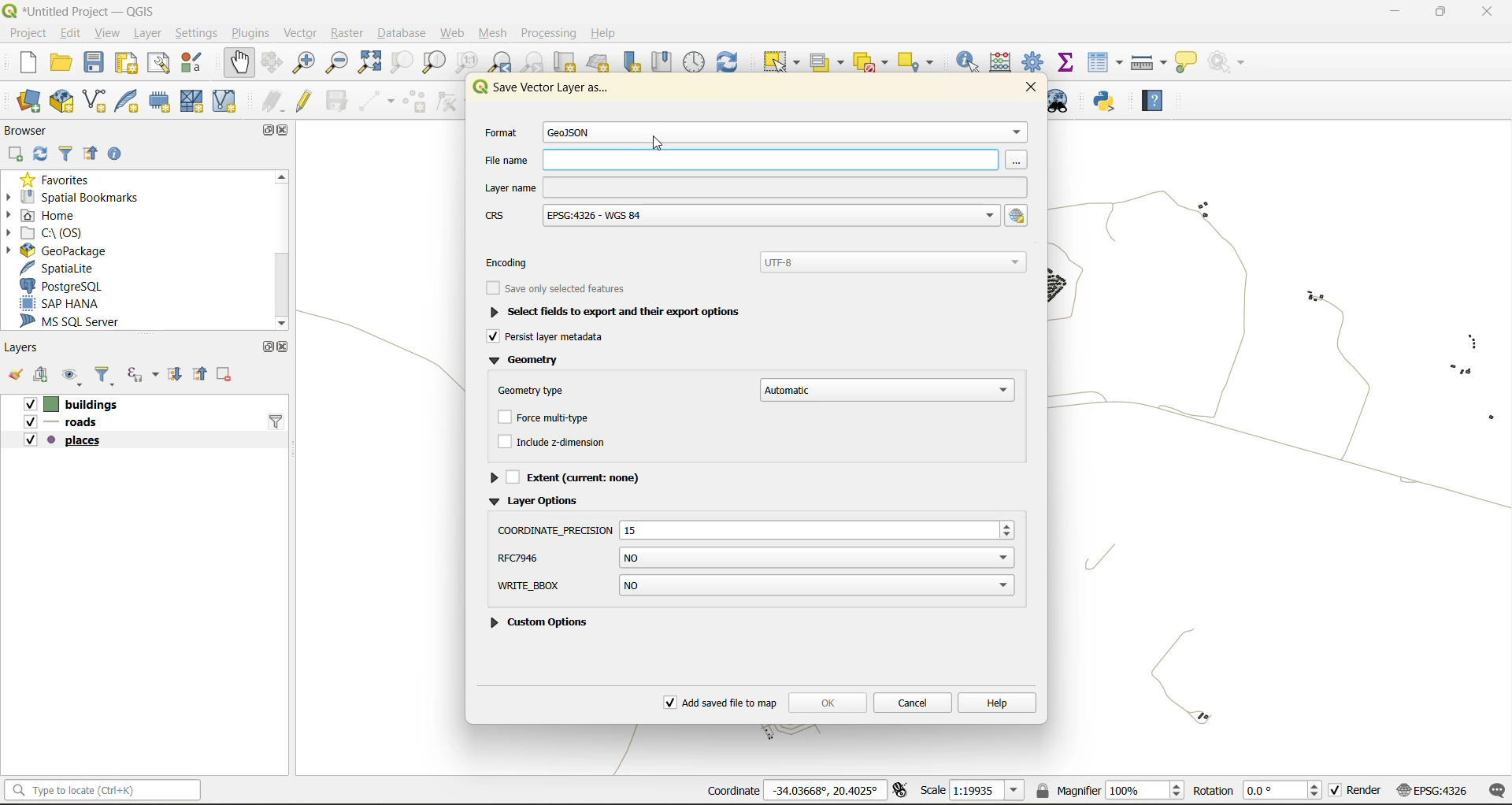 The height and width of the screenshot is (805, 1512). Describe the element at coordinates (16, 376) in the screenshot. I see `open` at that location.